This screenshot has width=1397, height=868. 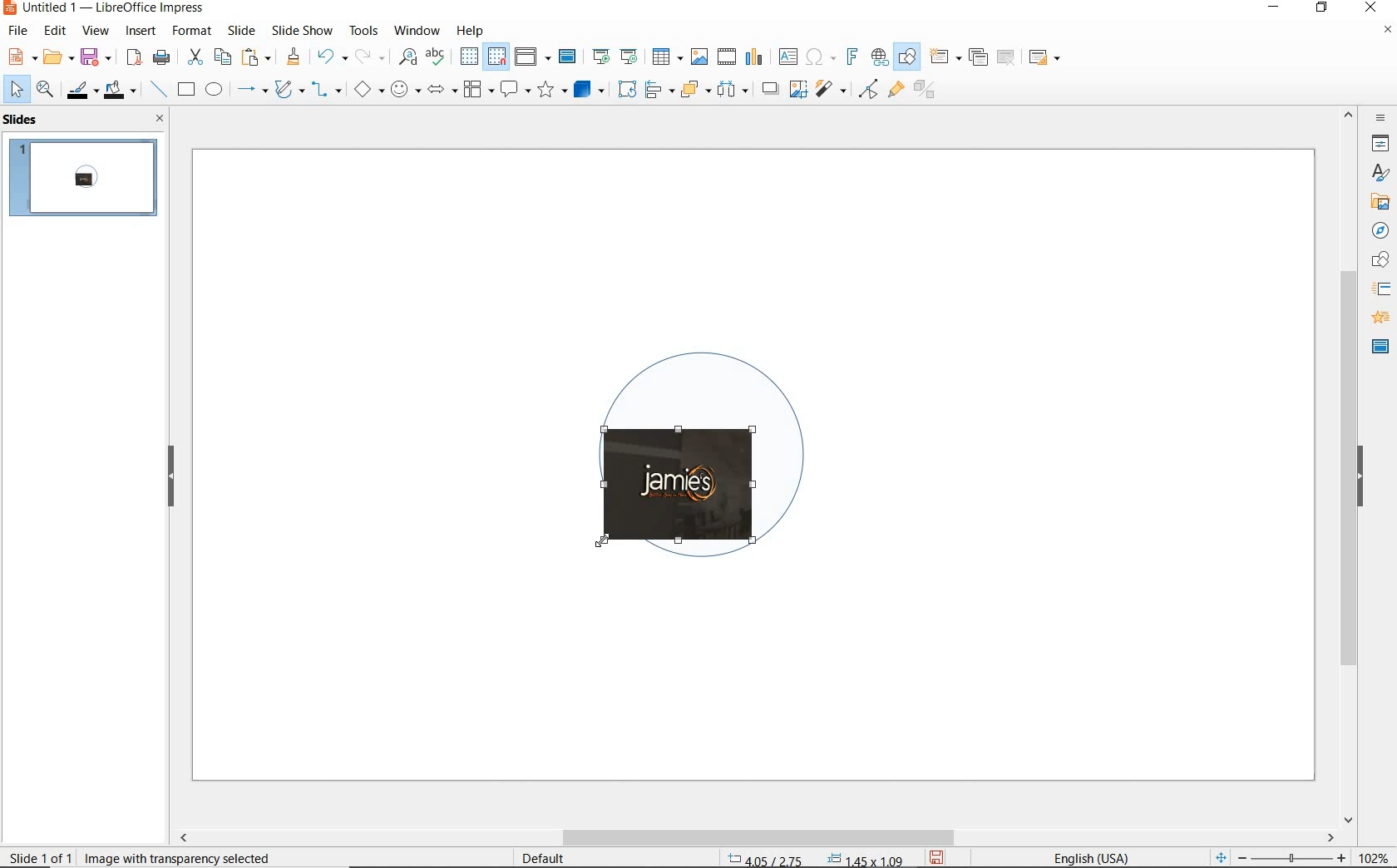 I want to click on delete slide, so click(x=1006, y=58).